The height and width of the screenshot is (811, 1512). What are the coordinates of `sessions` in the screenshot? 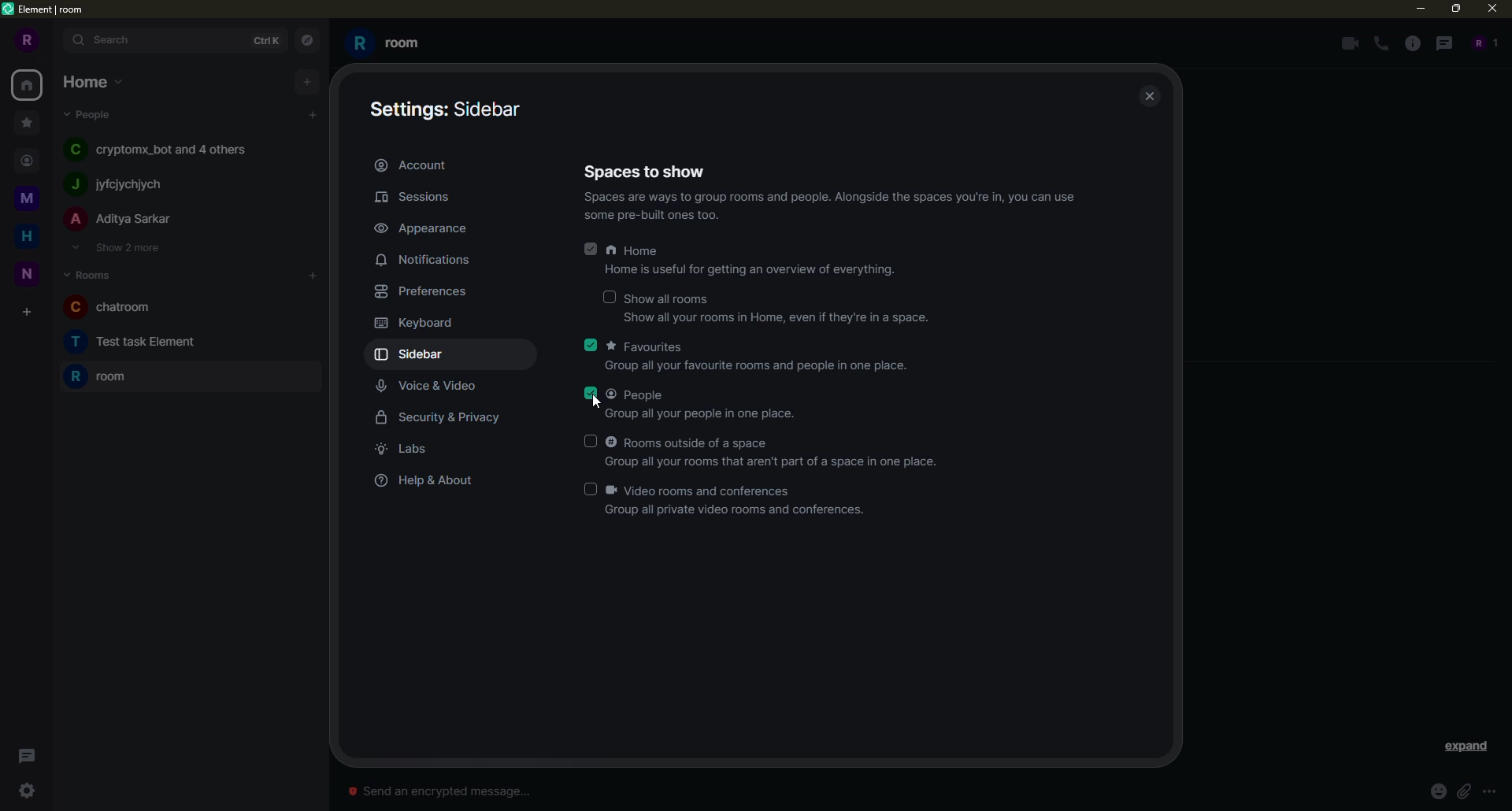 It's located at (417, 197).